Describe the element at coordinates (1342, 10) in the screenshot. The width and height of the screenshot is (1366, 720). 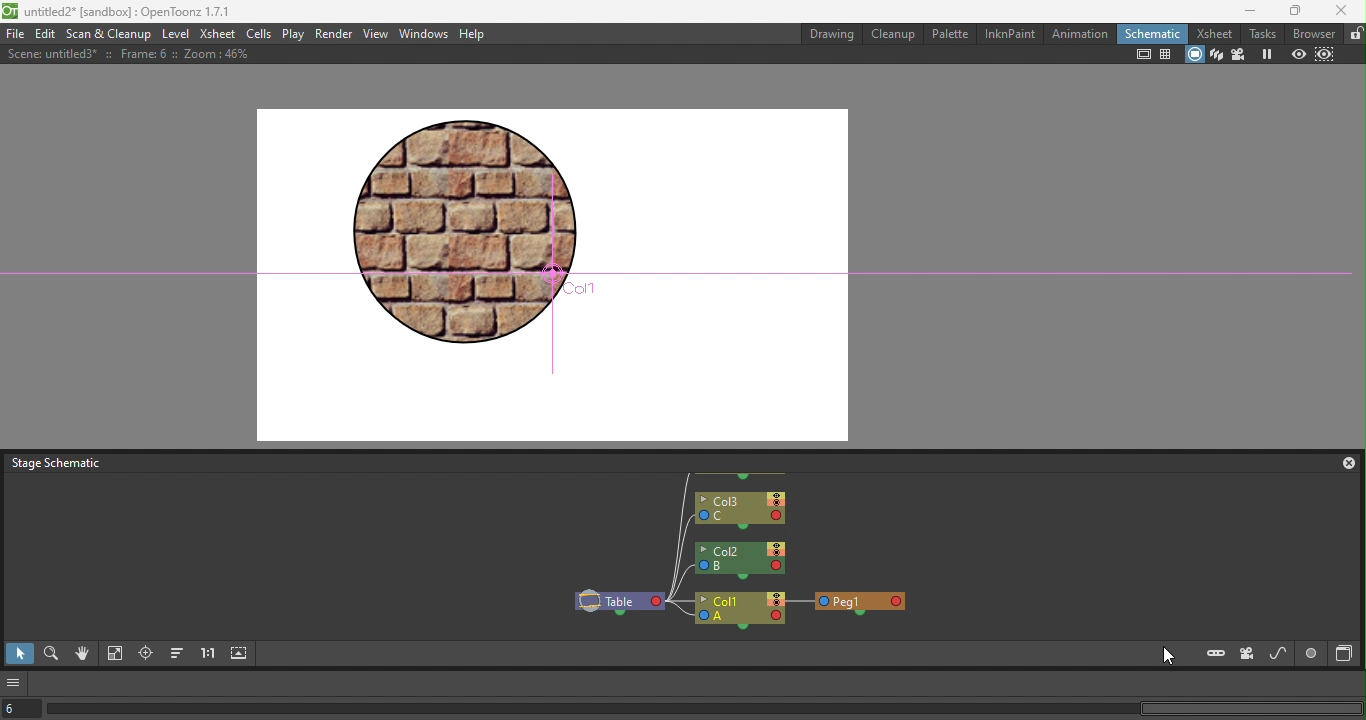
I see `Close` at that location.